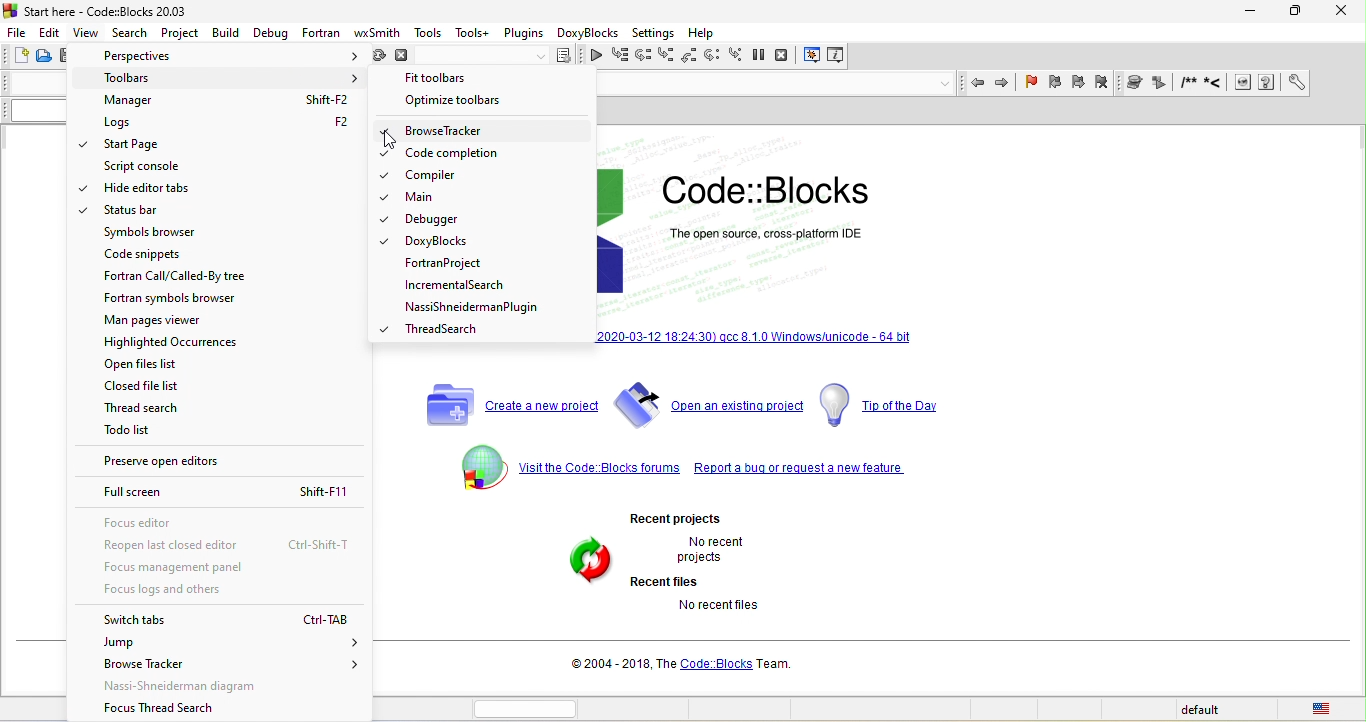 The height and width of the screenshot is (722, 1366). I want to click on tip of the day, so click(883, 404).